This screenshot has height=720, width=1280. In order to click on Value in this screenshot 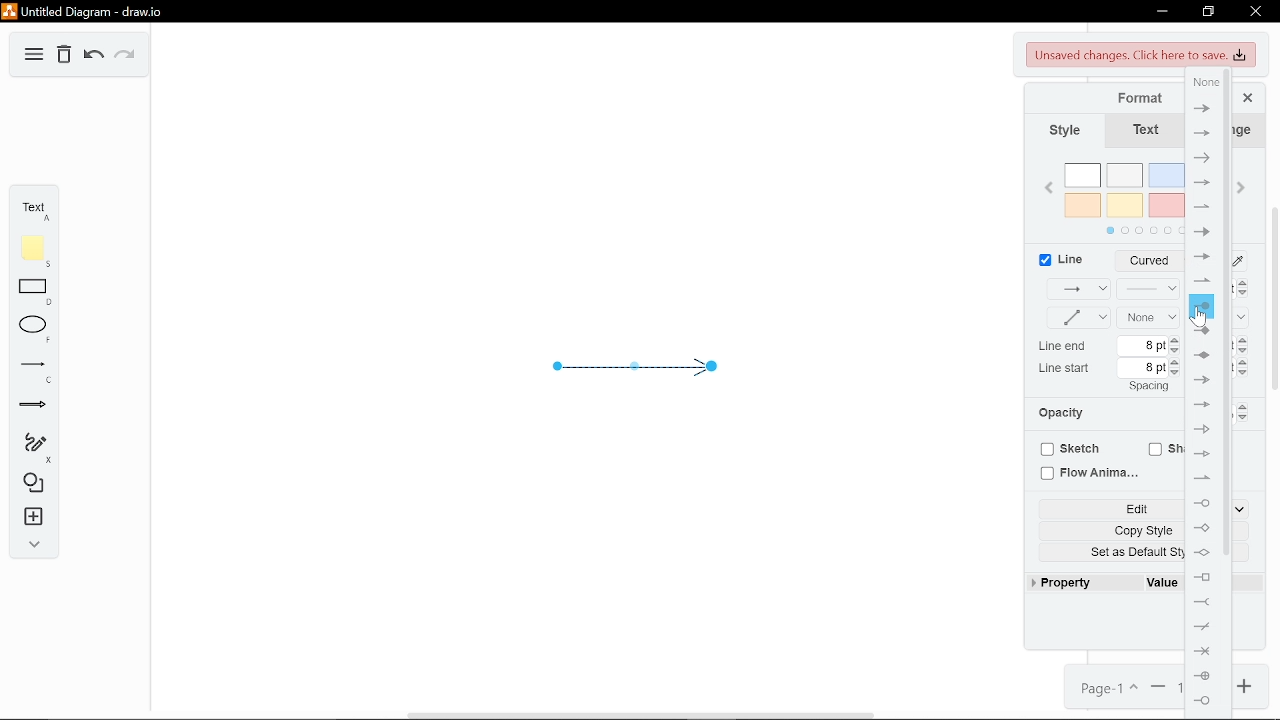, I will do `click(1159, 584)`.